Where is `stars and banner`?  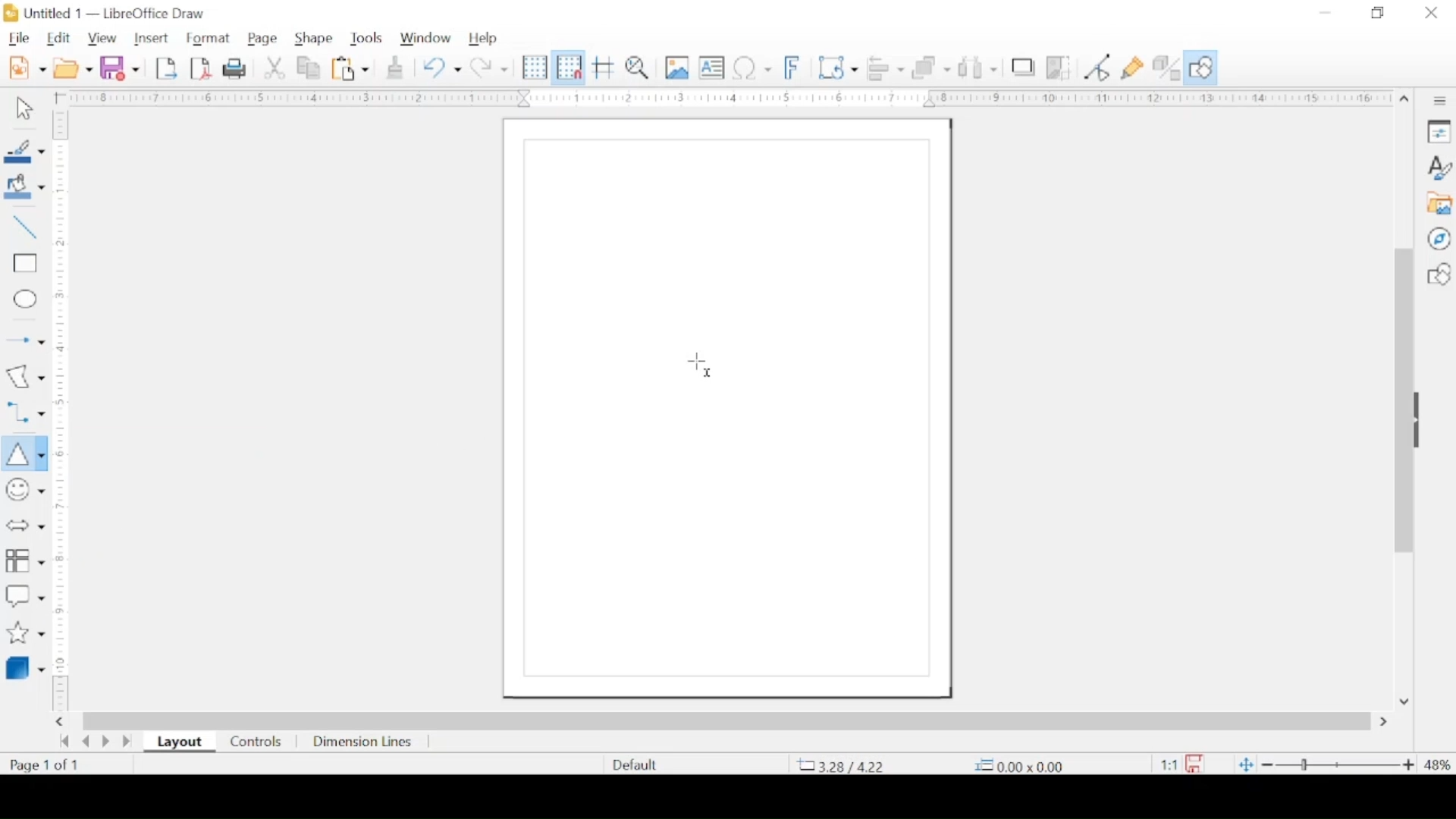
stars and banner is located at coordinates (24, 632).